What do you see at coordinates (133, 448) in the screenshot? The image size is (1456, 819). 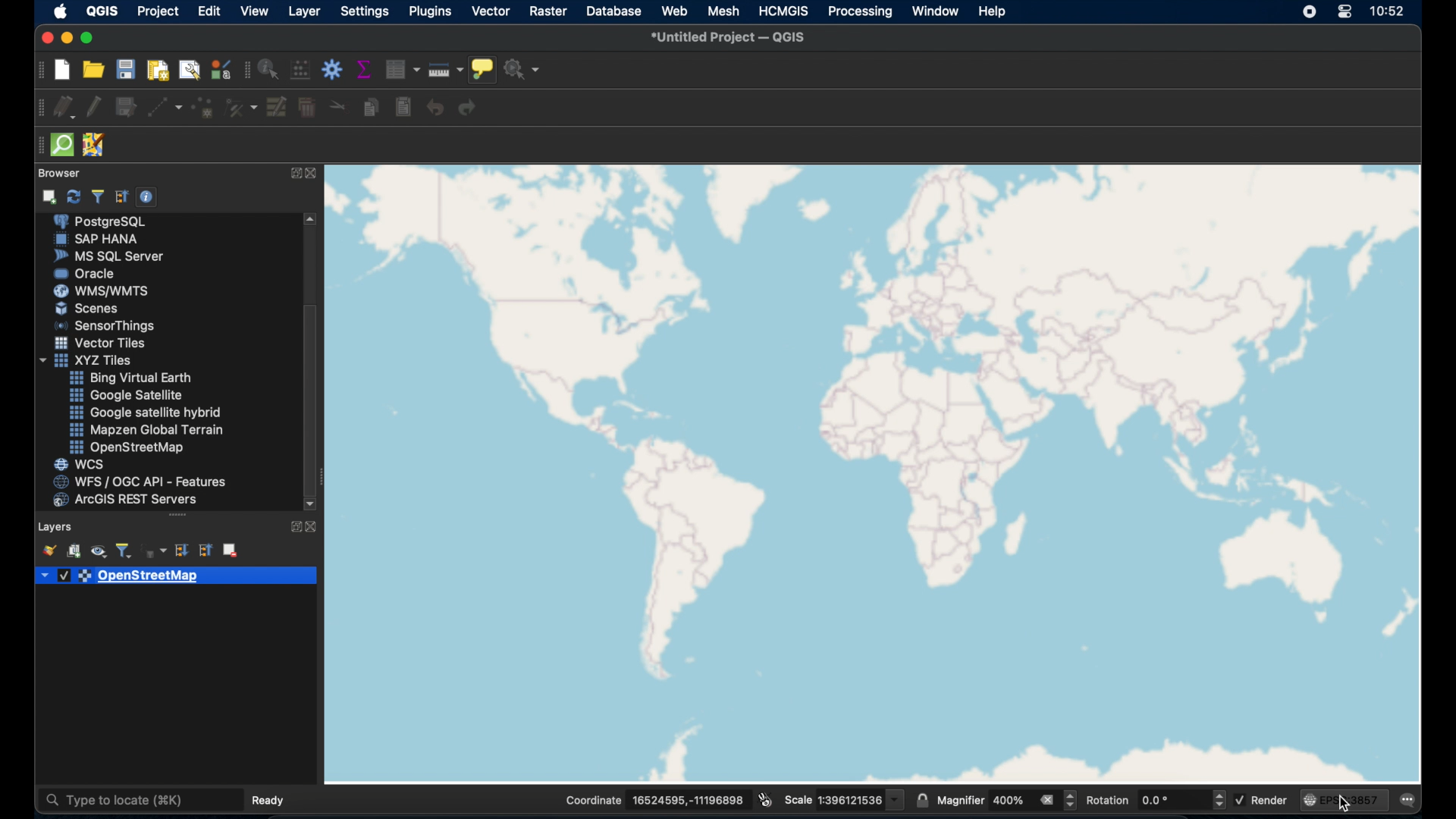 I see `openstreetmap` at bounding box center [133, 448].